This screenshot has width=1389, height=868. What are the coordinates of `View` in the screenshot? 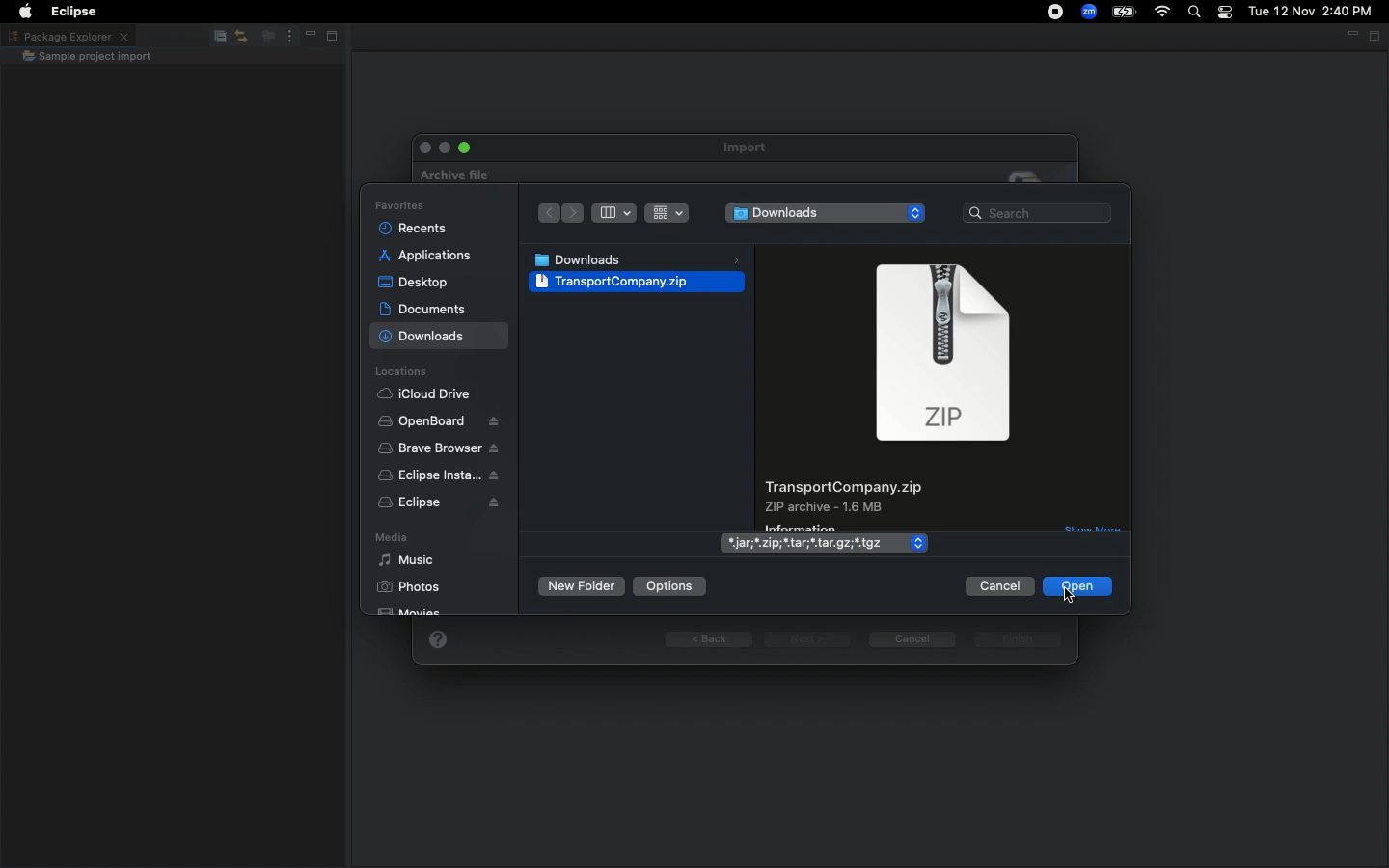 It's located at (636, 211).